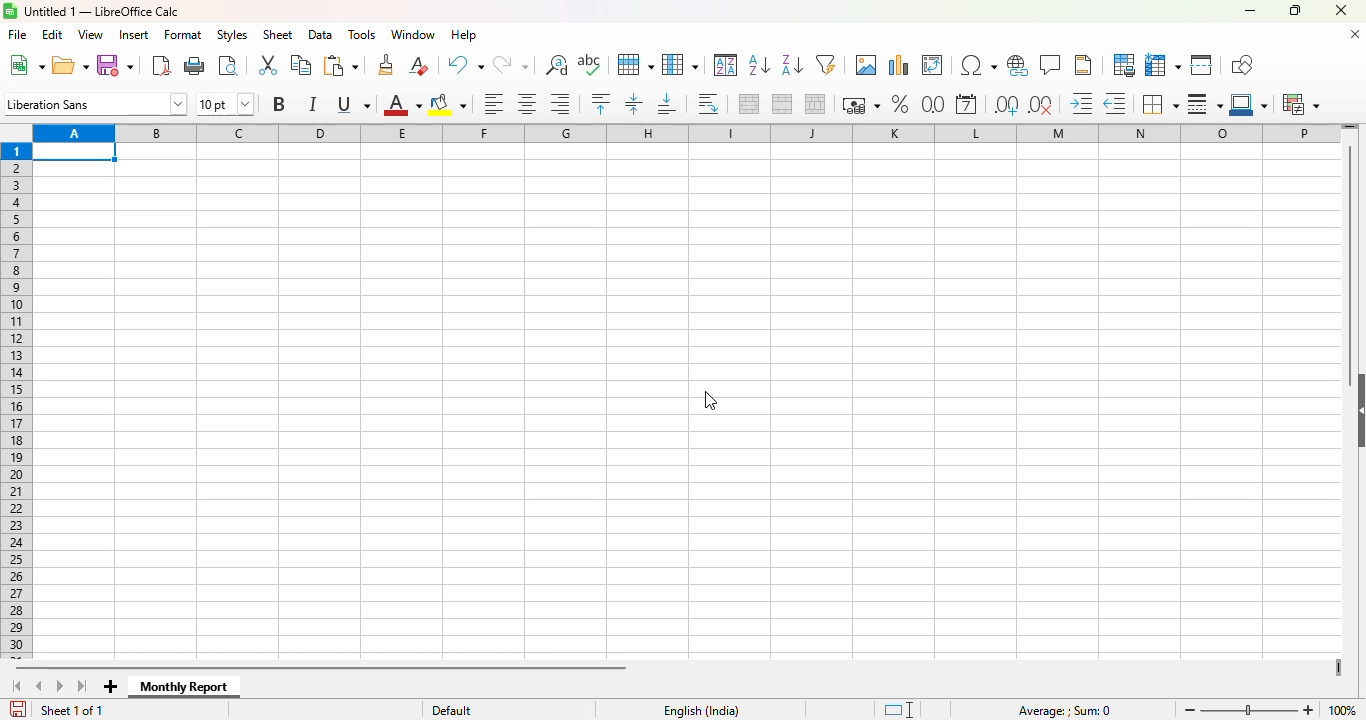 The width and height of the screenshot is (1366, 720). I want to click on close, so click(1340, 10).